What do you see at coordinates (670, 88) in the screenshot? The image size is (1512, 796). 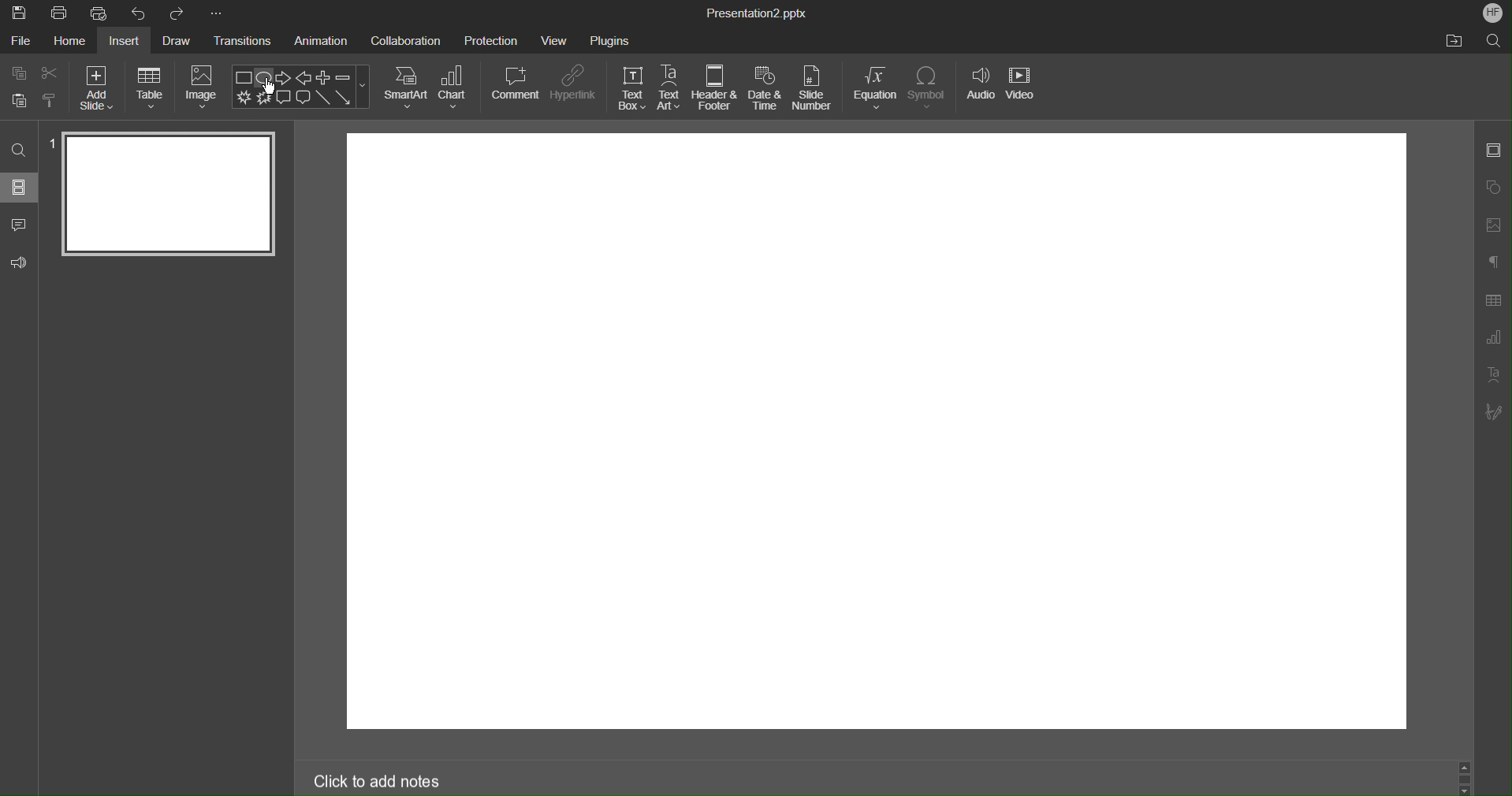 I see `Text Art` at bounding box center [670, 88].